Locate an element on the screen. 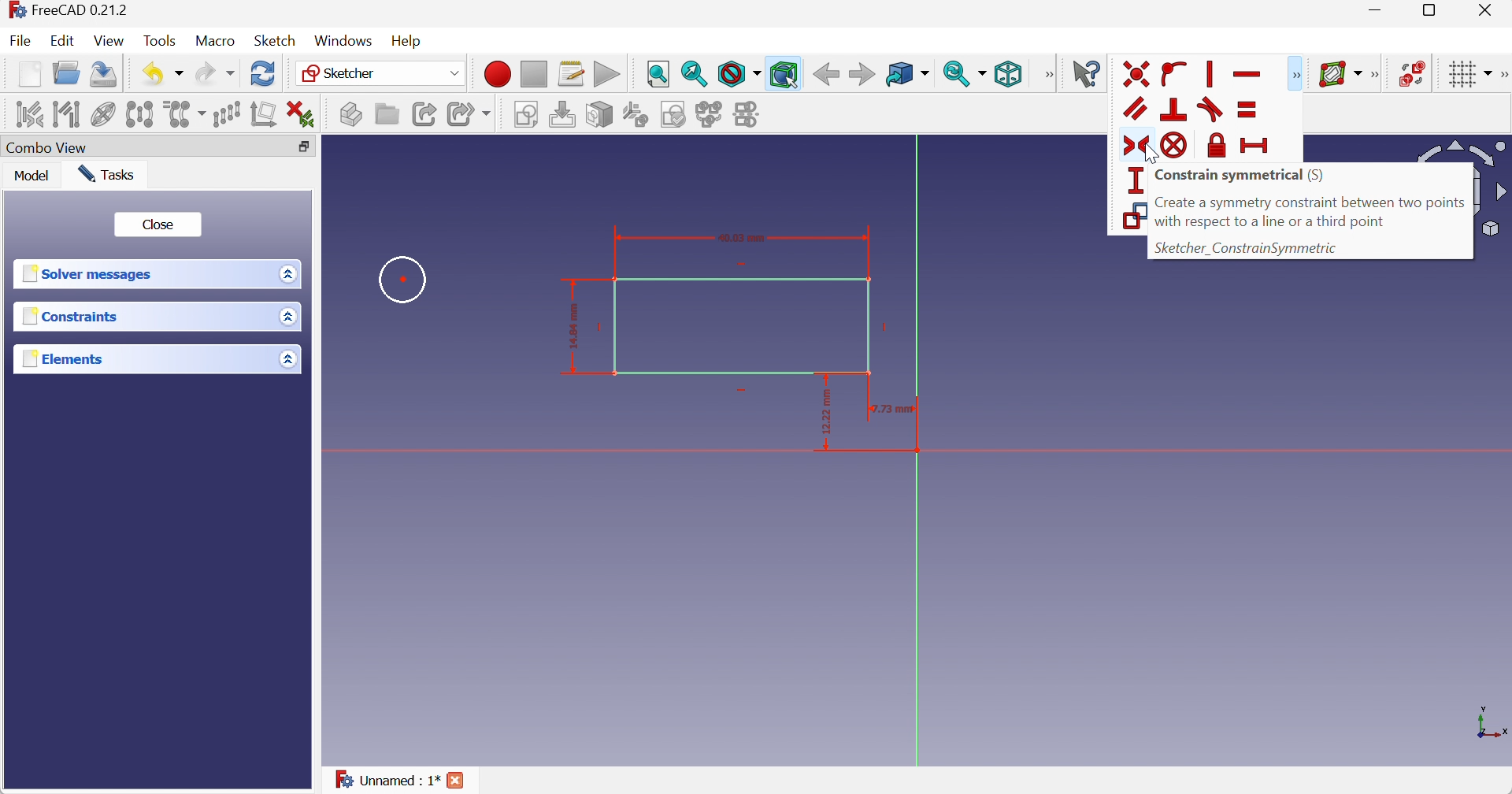  cursor is located at coordinates (1151, 154).